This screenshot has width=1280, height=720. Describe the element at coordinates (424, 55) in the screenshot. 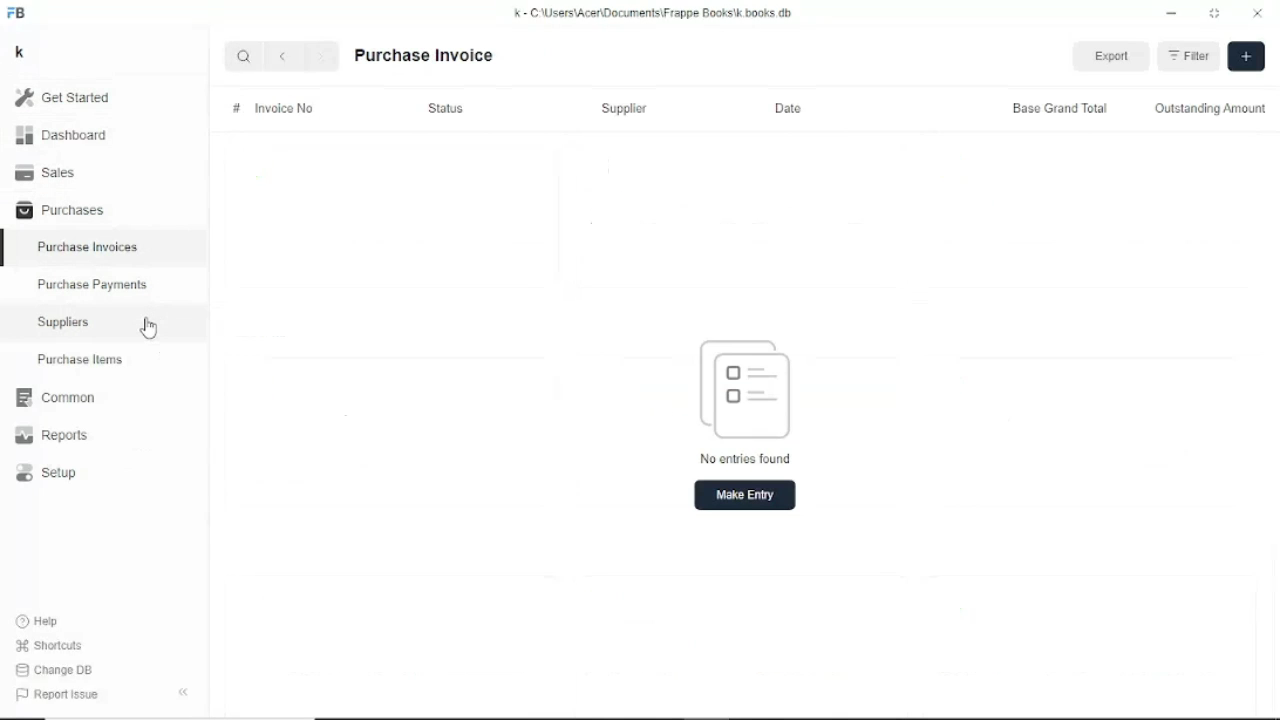

I see `Purchase invoice` at that location.